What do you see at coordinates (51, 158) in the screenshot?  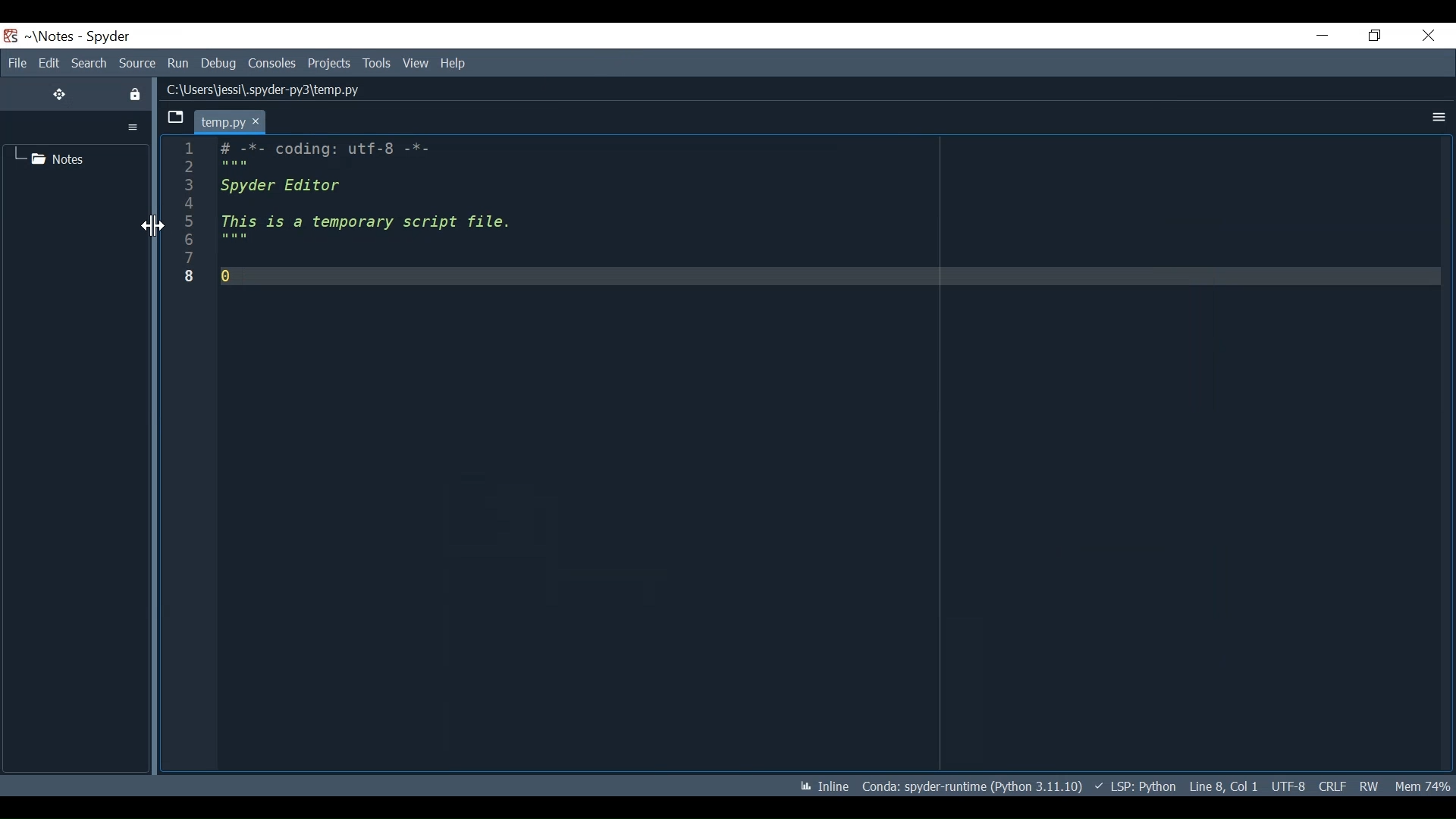 I see `Notes` at bounding box center [51, 158].